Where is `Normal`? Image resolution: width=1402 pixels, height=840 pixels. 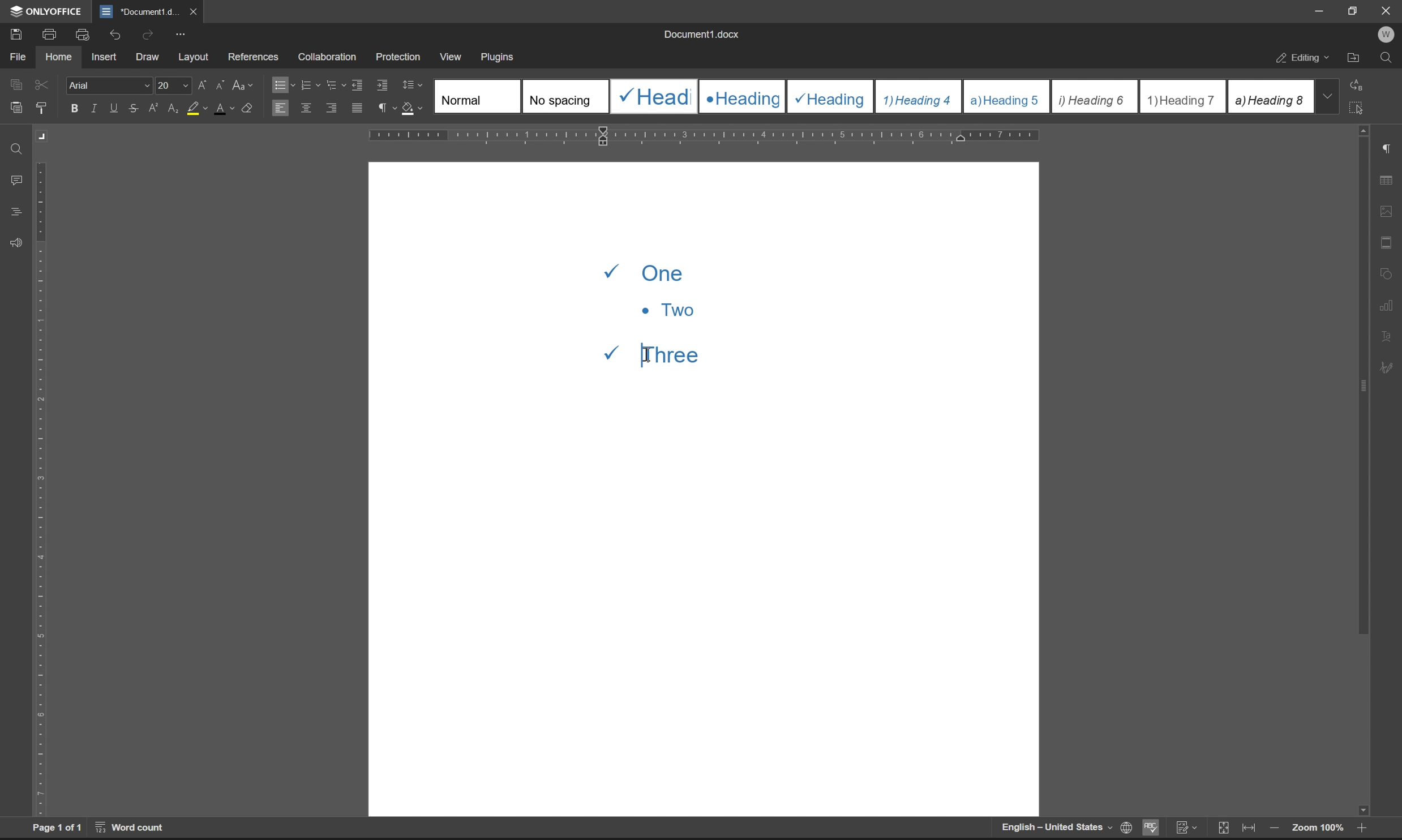 Normal is located at coordinates (478, 96).